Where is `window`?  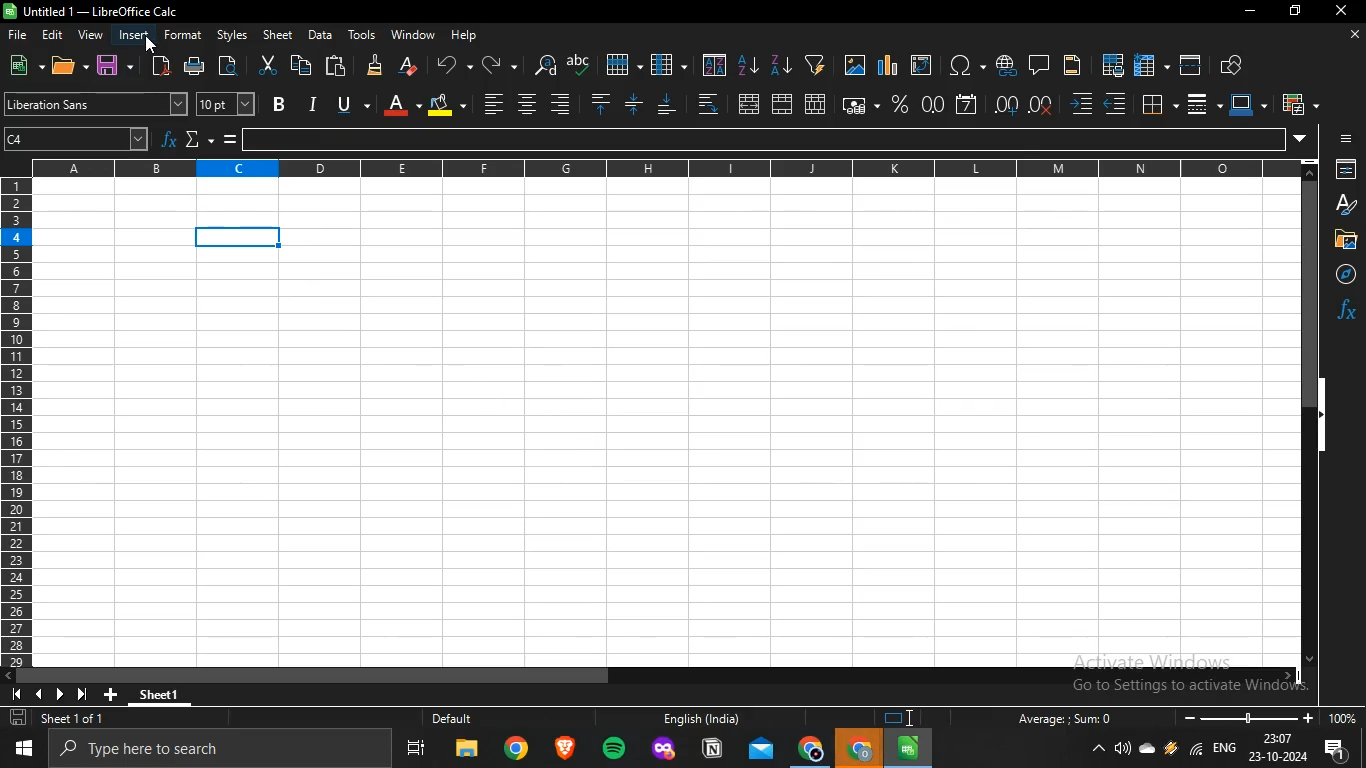
window is located at coordinates (413, 34).